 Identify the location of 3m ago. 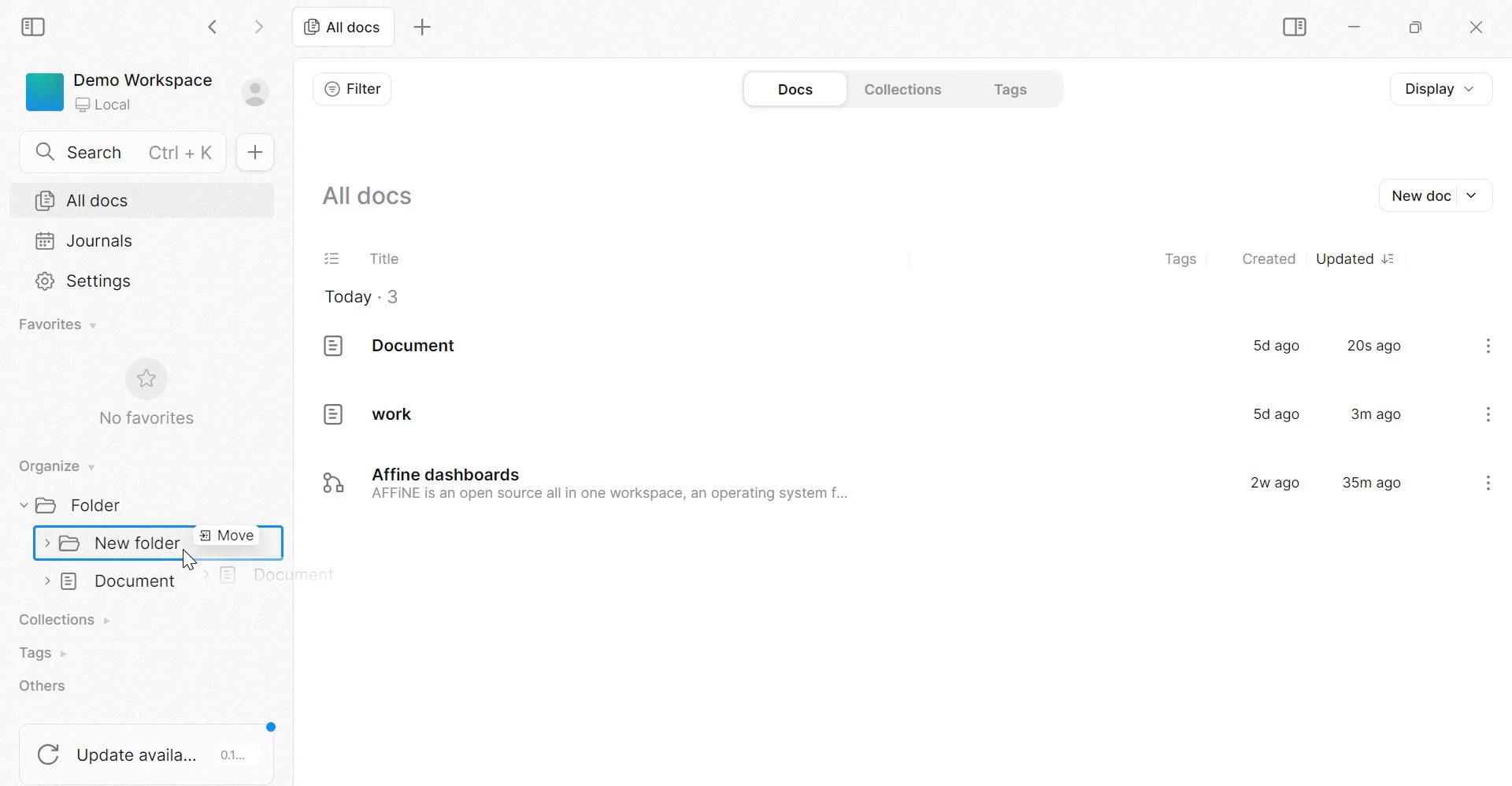
(1377, 413).